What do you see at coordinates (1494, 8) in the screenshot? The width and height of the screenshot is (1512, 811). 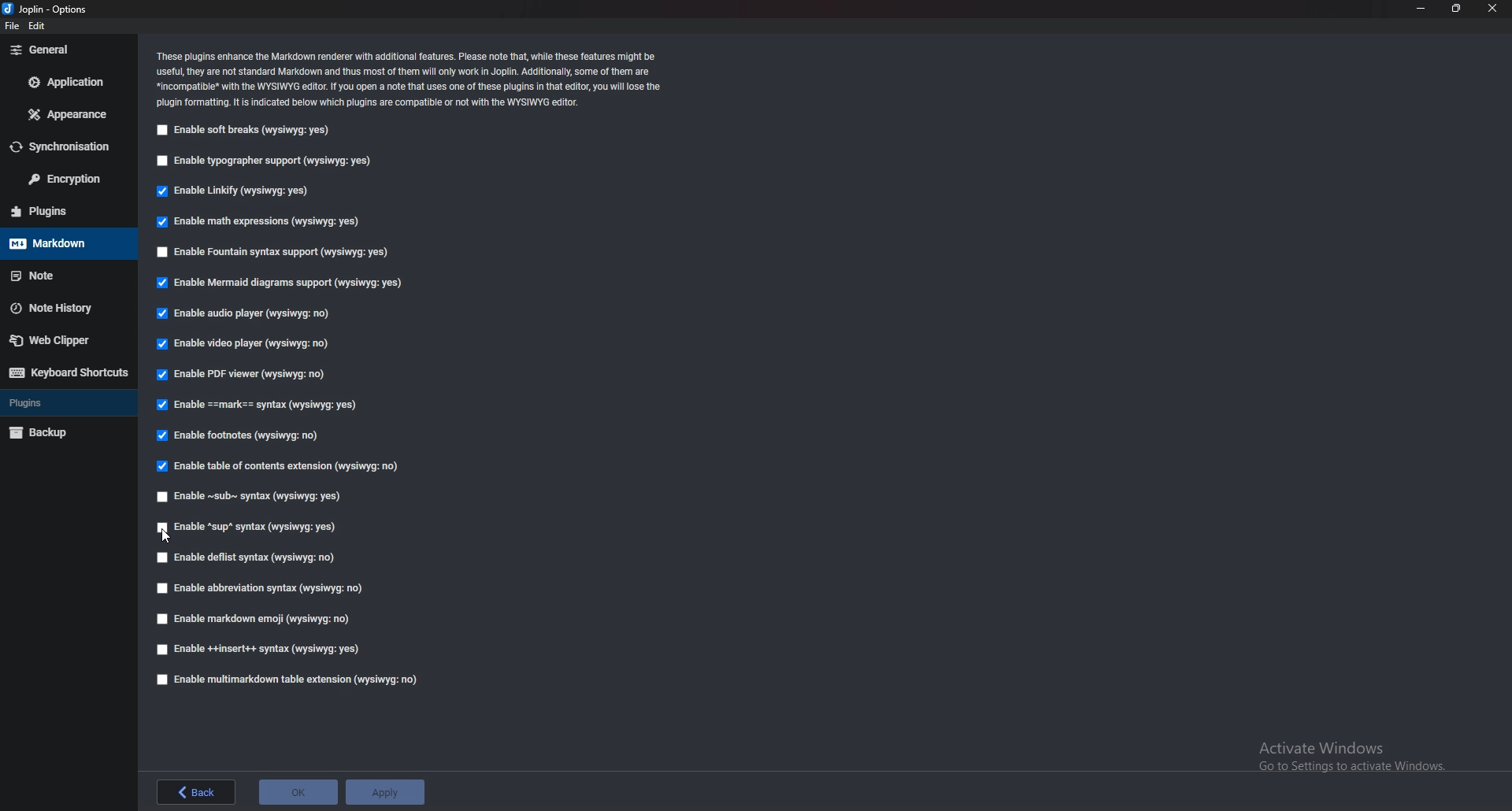 I see `close` at bounding box center [1494, 8].